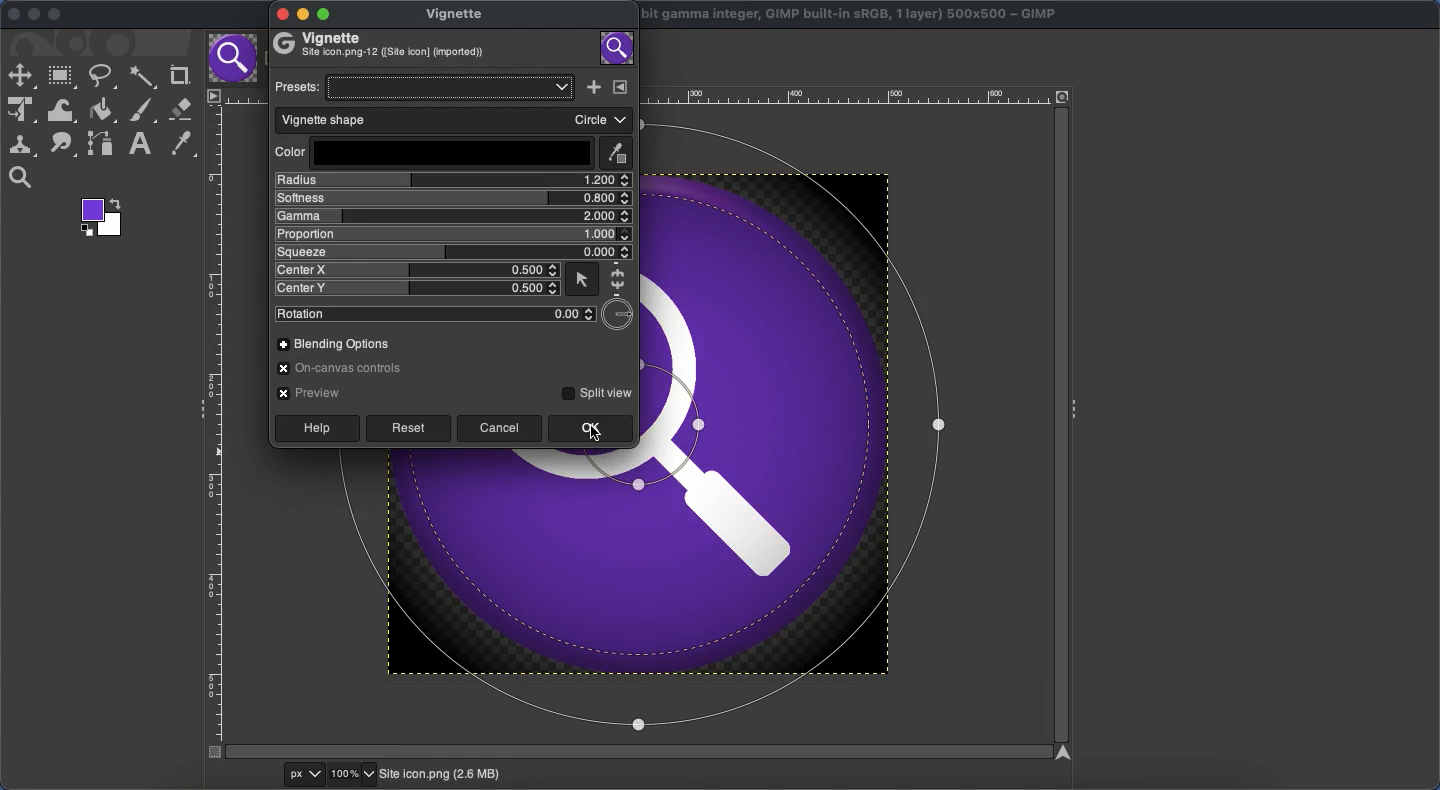 This screenshot has height=790, width=1440. Describe the element at coordinates (140, 111) in the screenshot. I see `Paint` at that location.